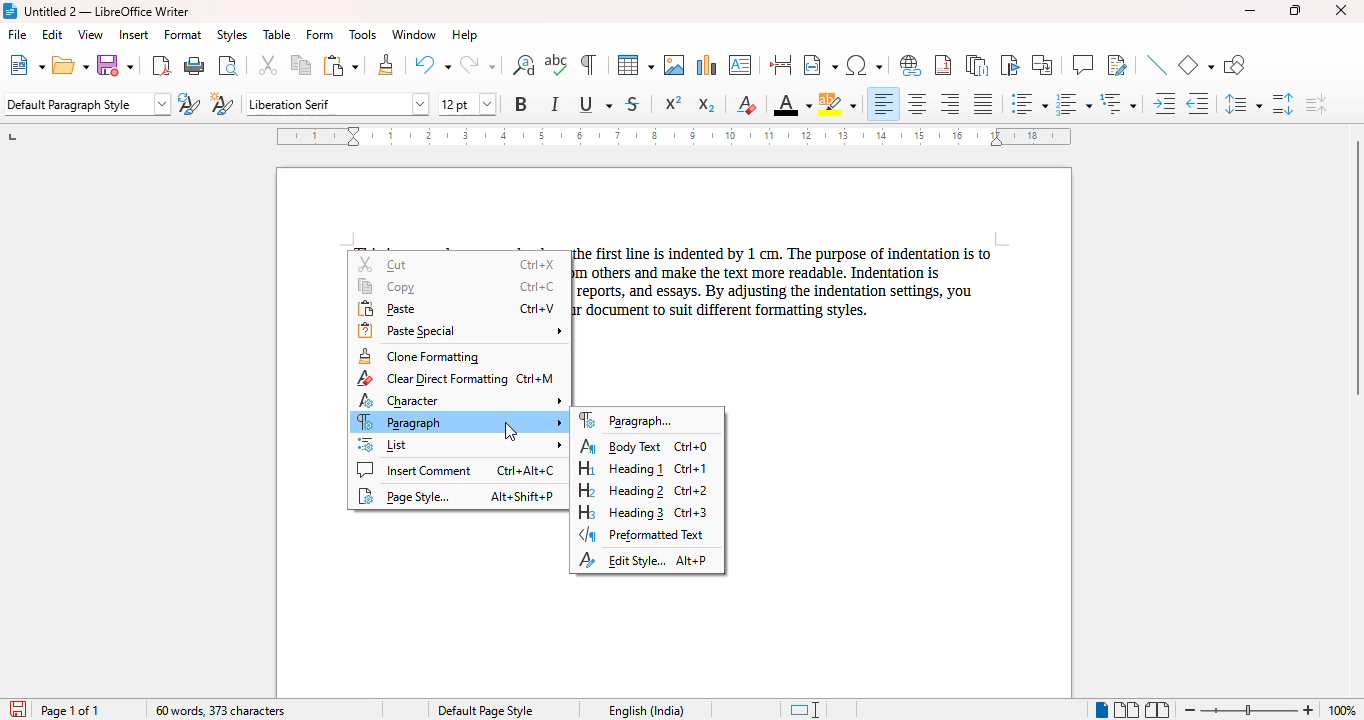  What do you see at coordinates (643, 560) in the screenshot?
I see `edit style` at bounding box center [643, 560].